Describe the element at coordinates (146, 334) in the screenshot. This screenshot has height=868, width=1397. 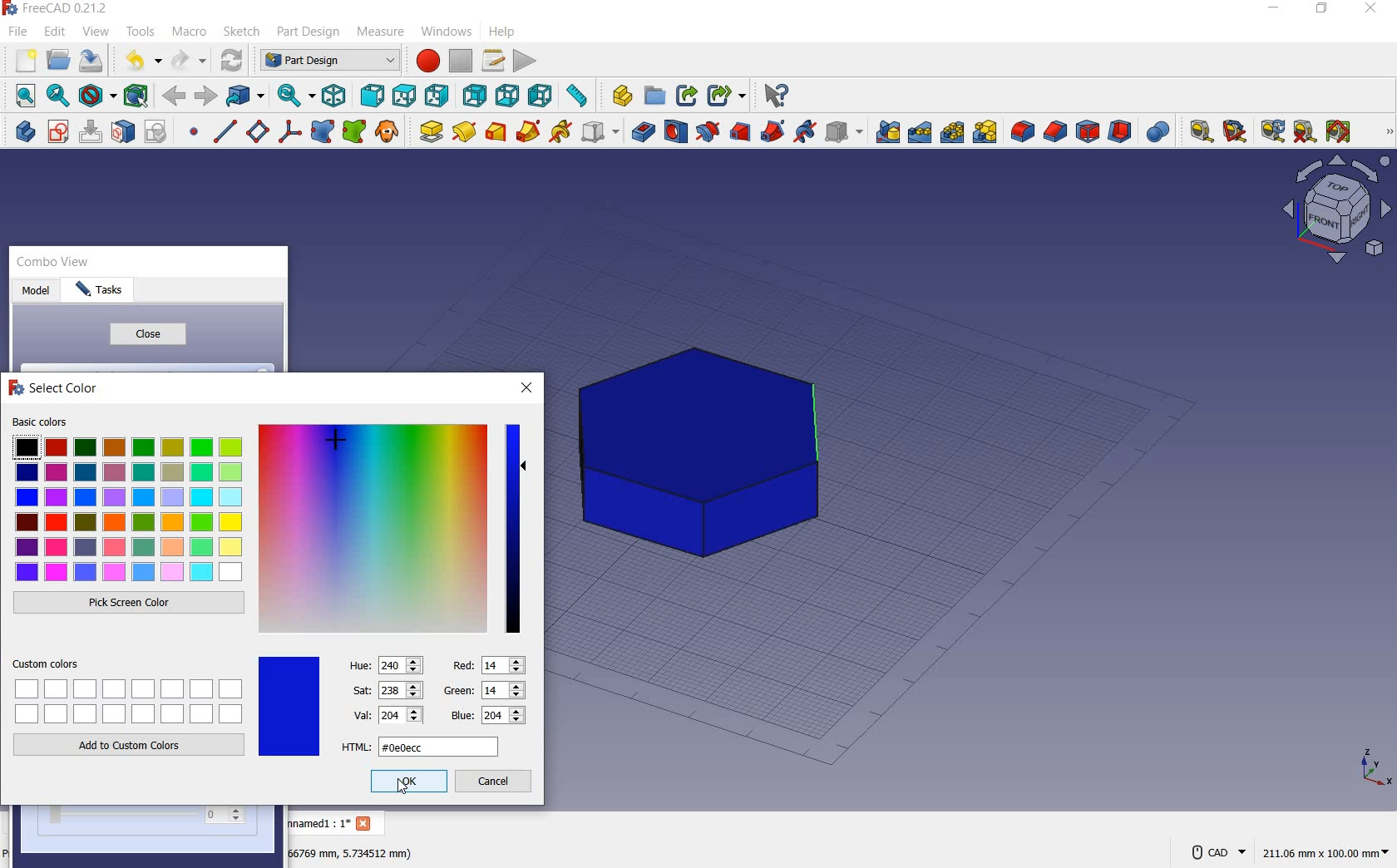
I see `close` at that location.